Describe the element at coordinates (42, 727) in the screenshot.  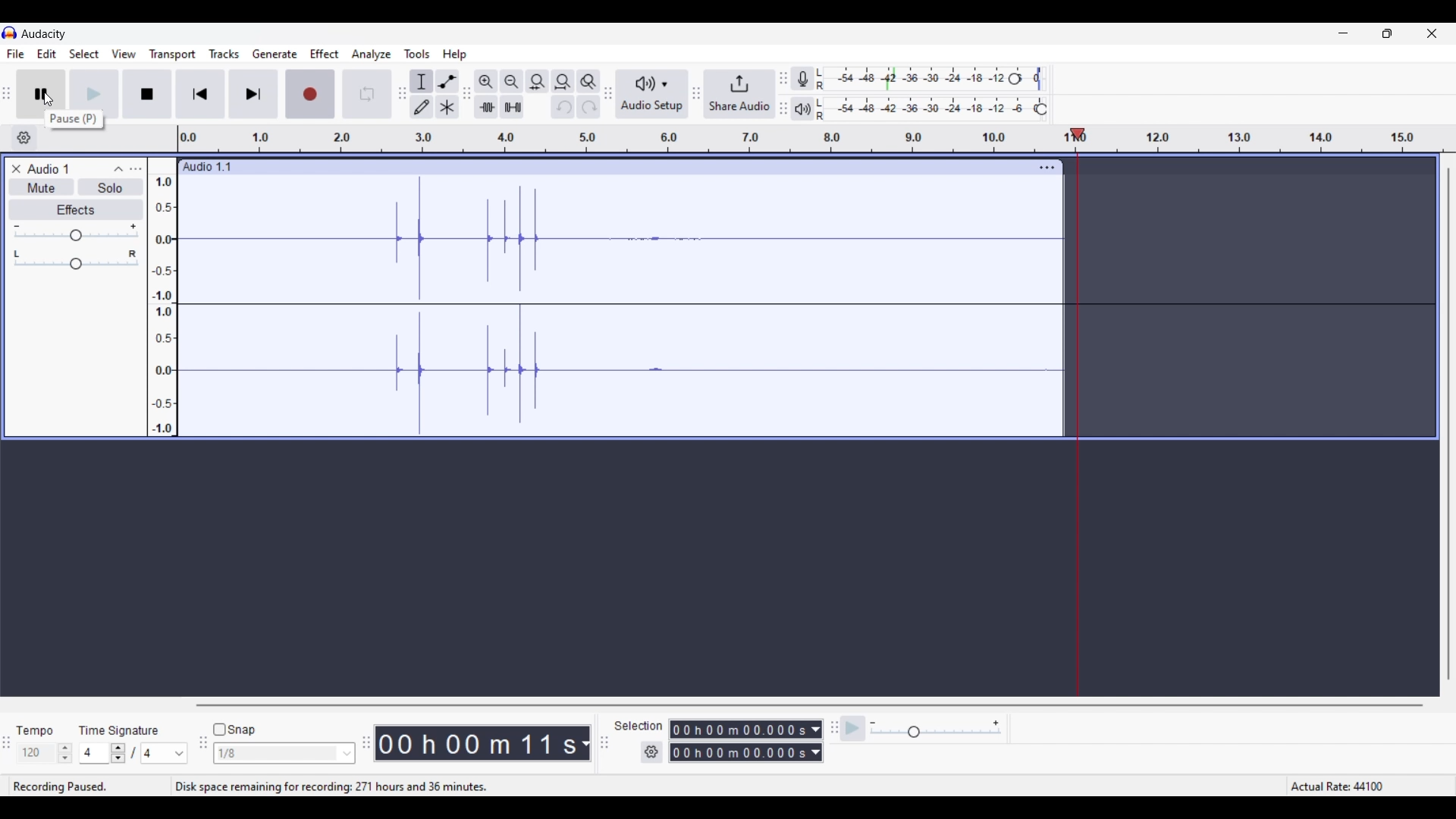
I see `Tempo` at that location.